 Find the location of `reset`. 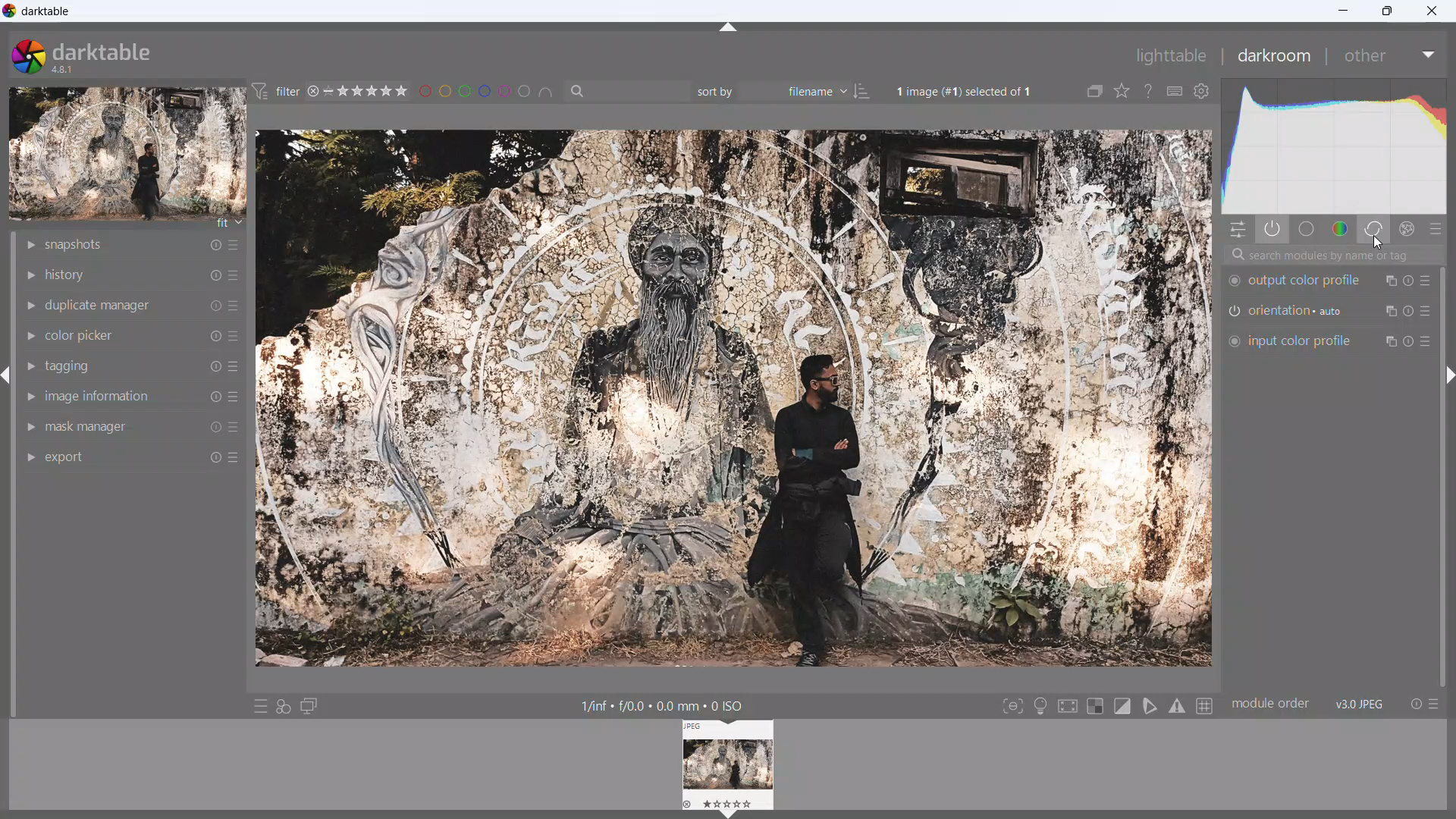

reset is located at coordinates (214, 308).